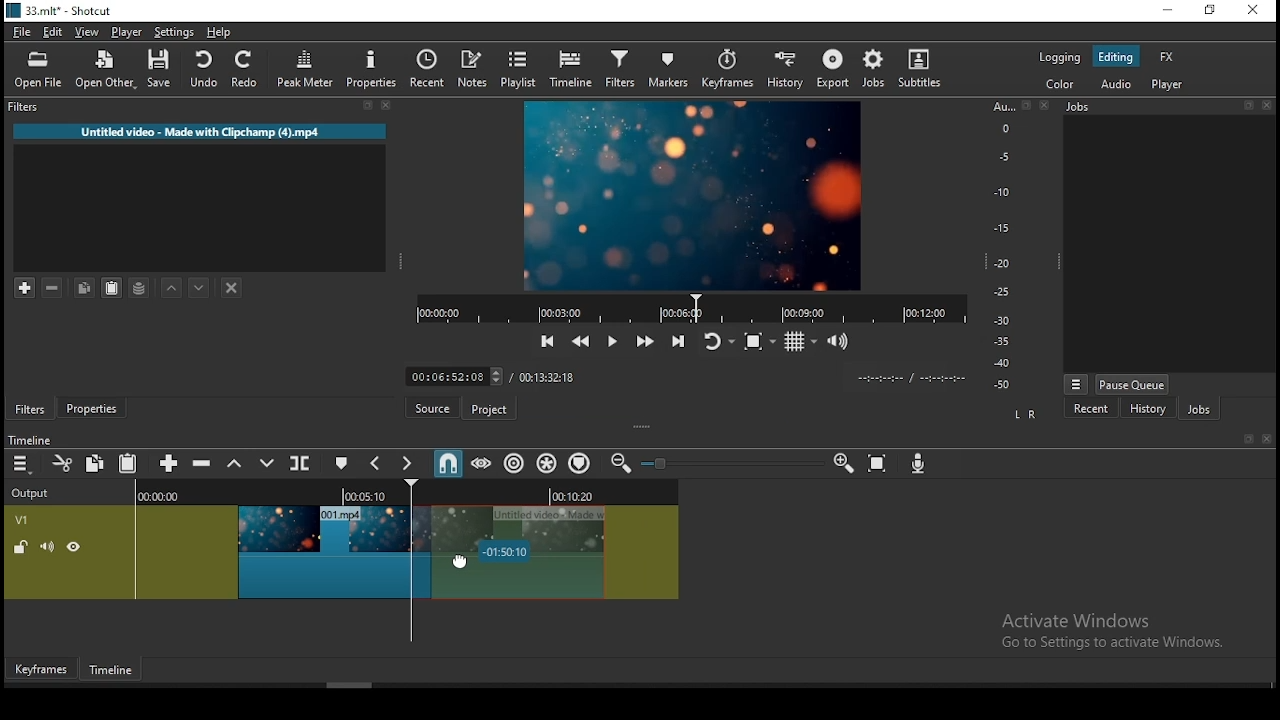 Image resolution: width=1280 pixels, height=720 pixels. Describe the element at coordinates (735, 466) in the screenshot. I see `zoom in or zoom out slider` at that location.